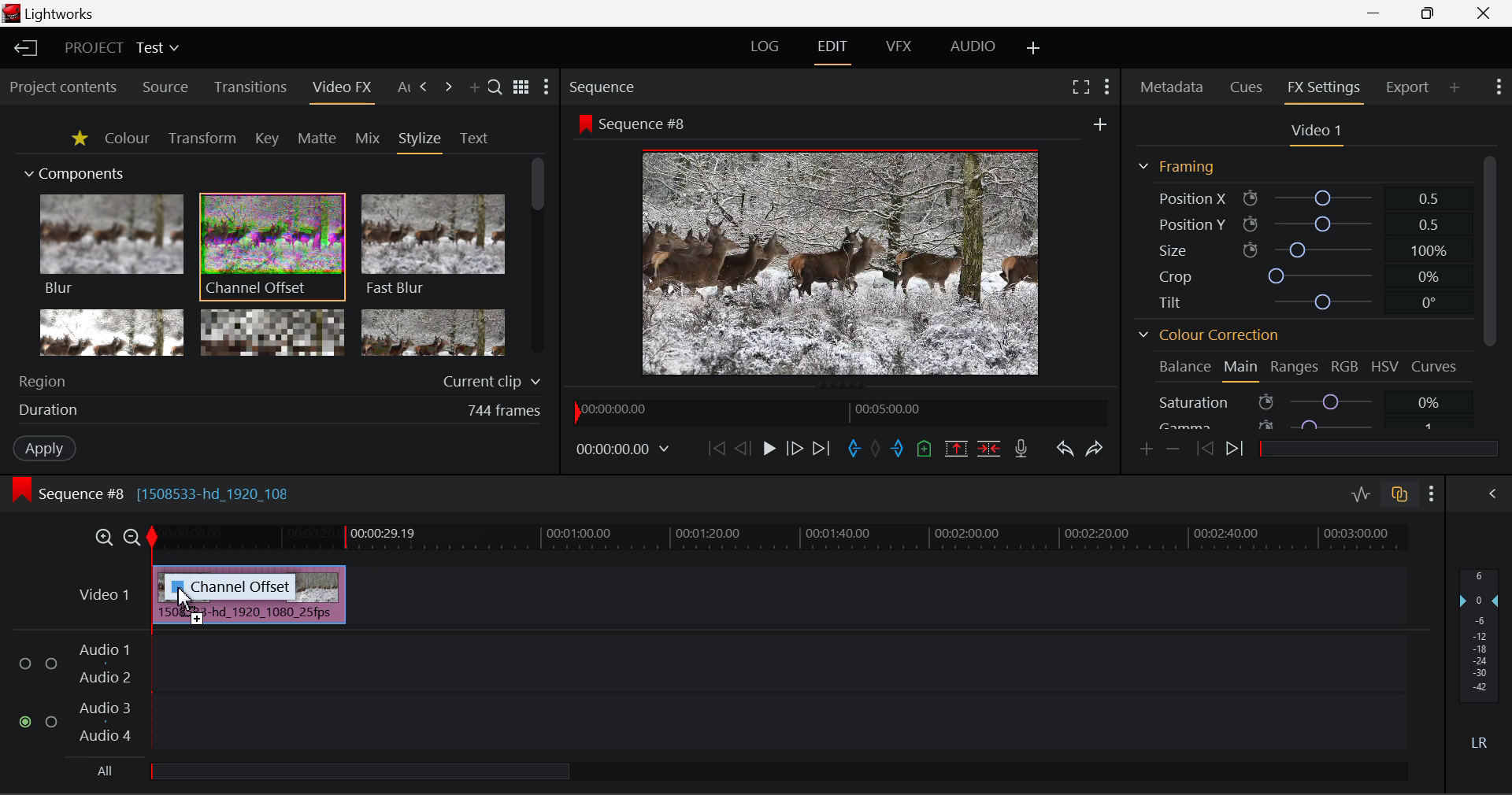 This screenshot has height=795, width=1512. I want to click on Source, so click(167, 87).